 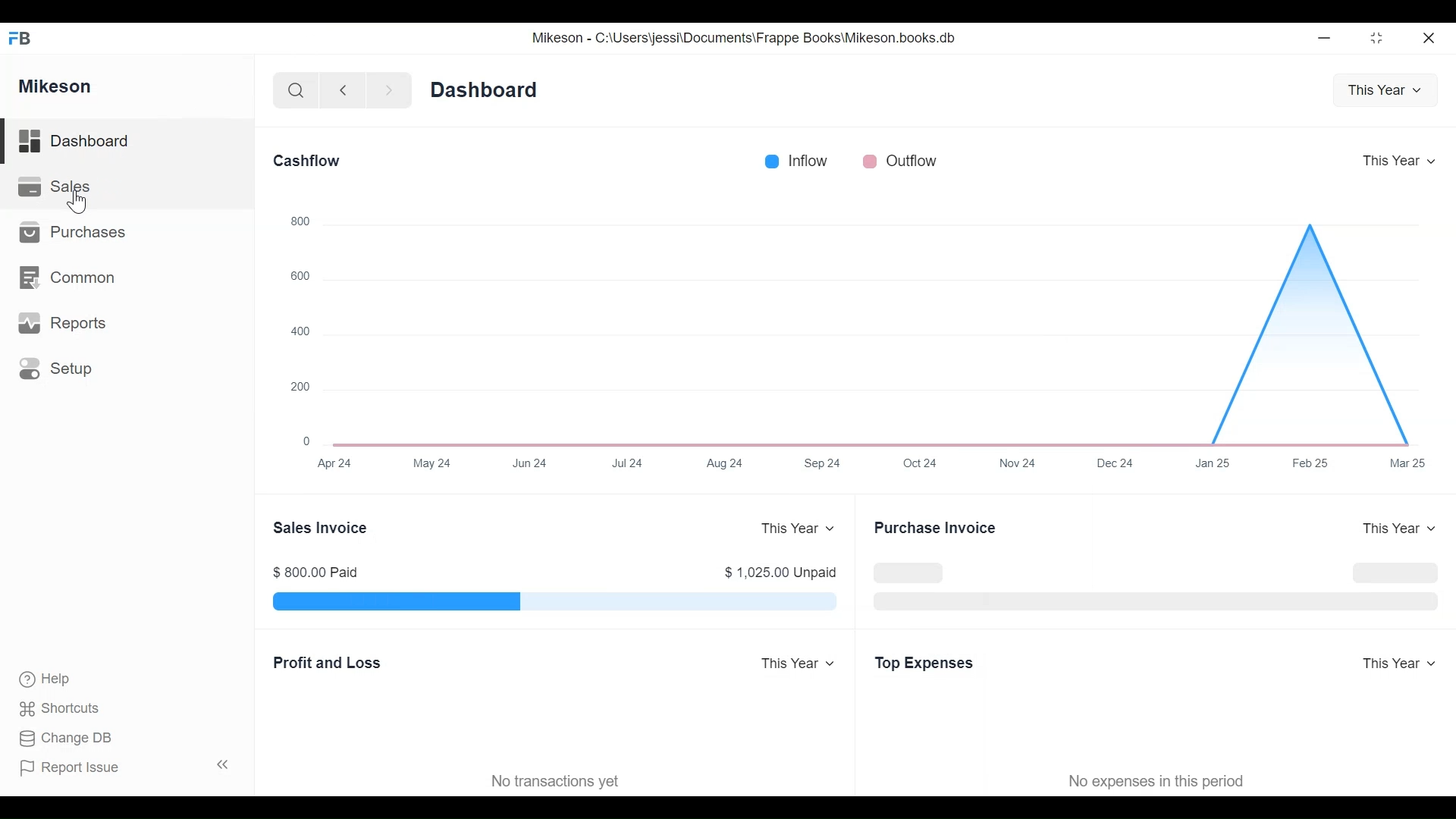 I want to click on Report Issue, so click(x=77, y=768).